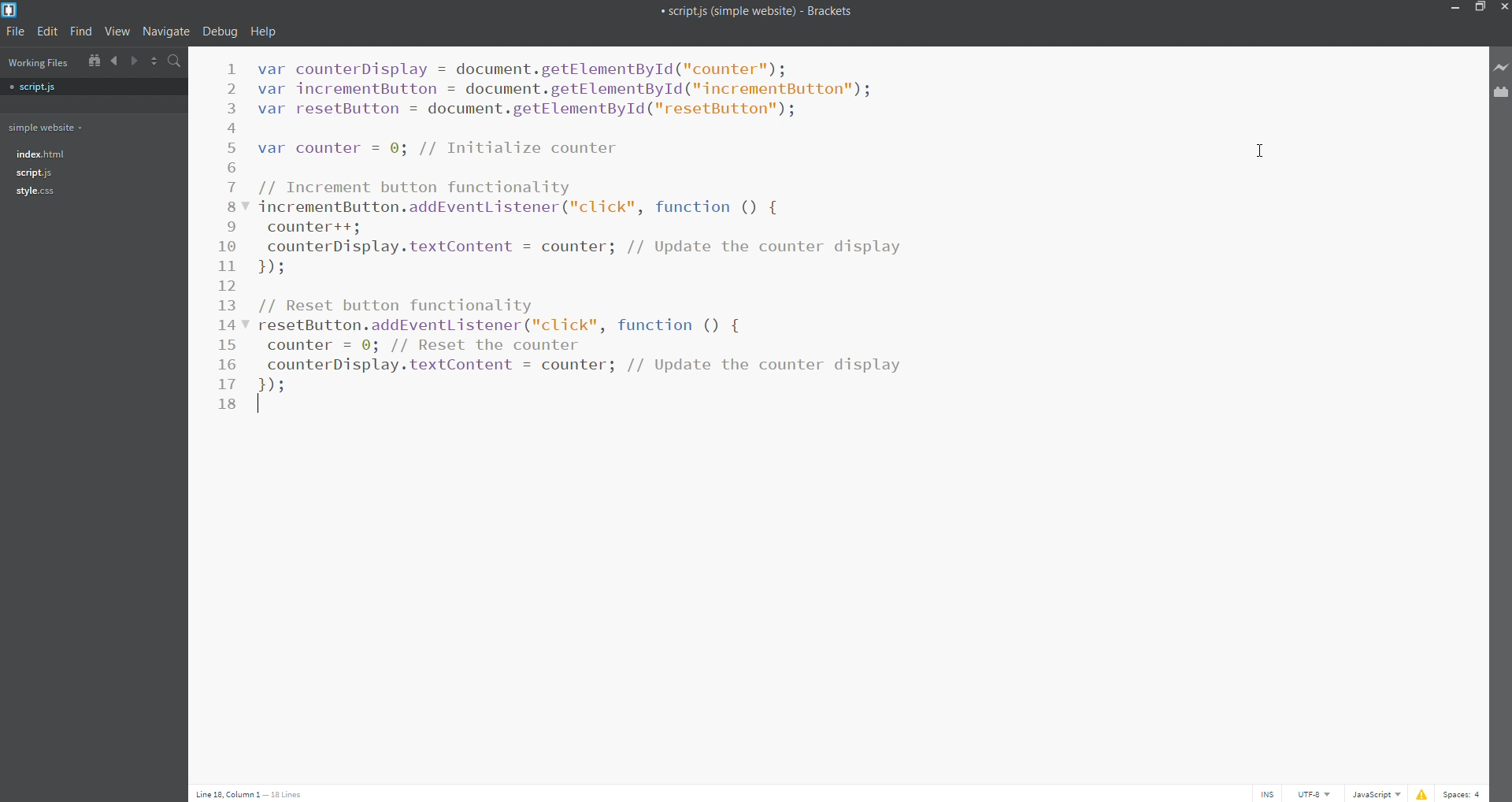  What do you see at coordinates (1500, 92) in the screenshot?
I see `external manager` at bounding box center [1500, 92].